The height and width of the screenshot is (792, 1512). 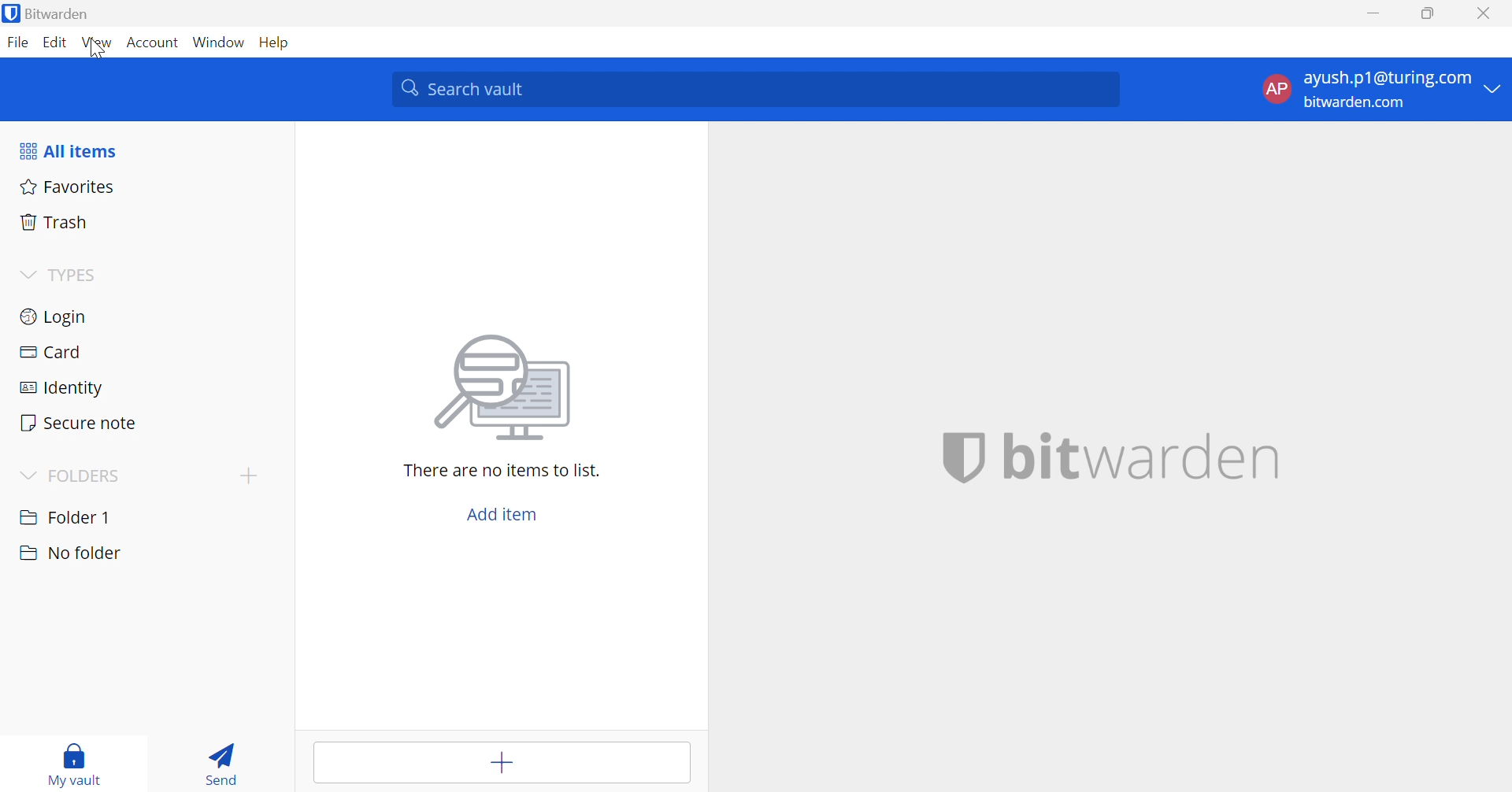 What do you see at coordinates (253, 475) in the screenshot?
I see `Add folder` at bounding box center [253, 475].